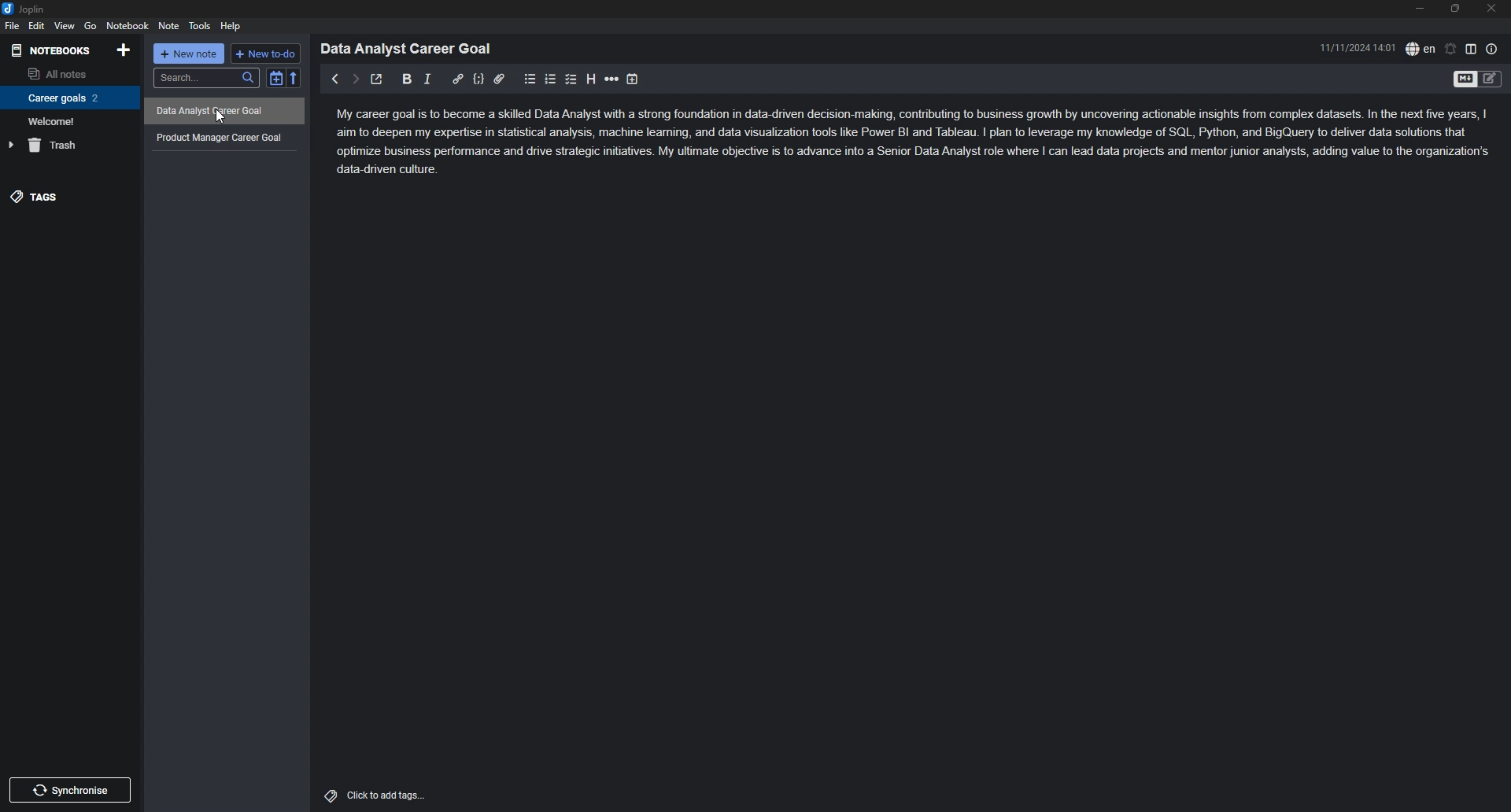  Describe the element at coordinates (91, 26) in the screenshot. I see `go` at that location.